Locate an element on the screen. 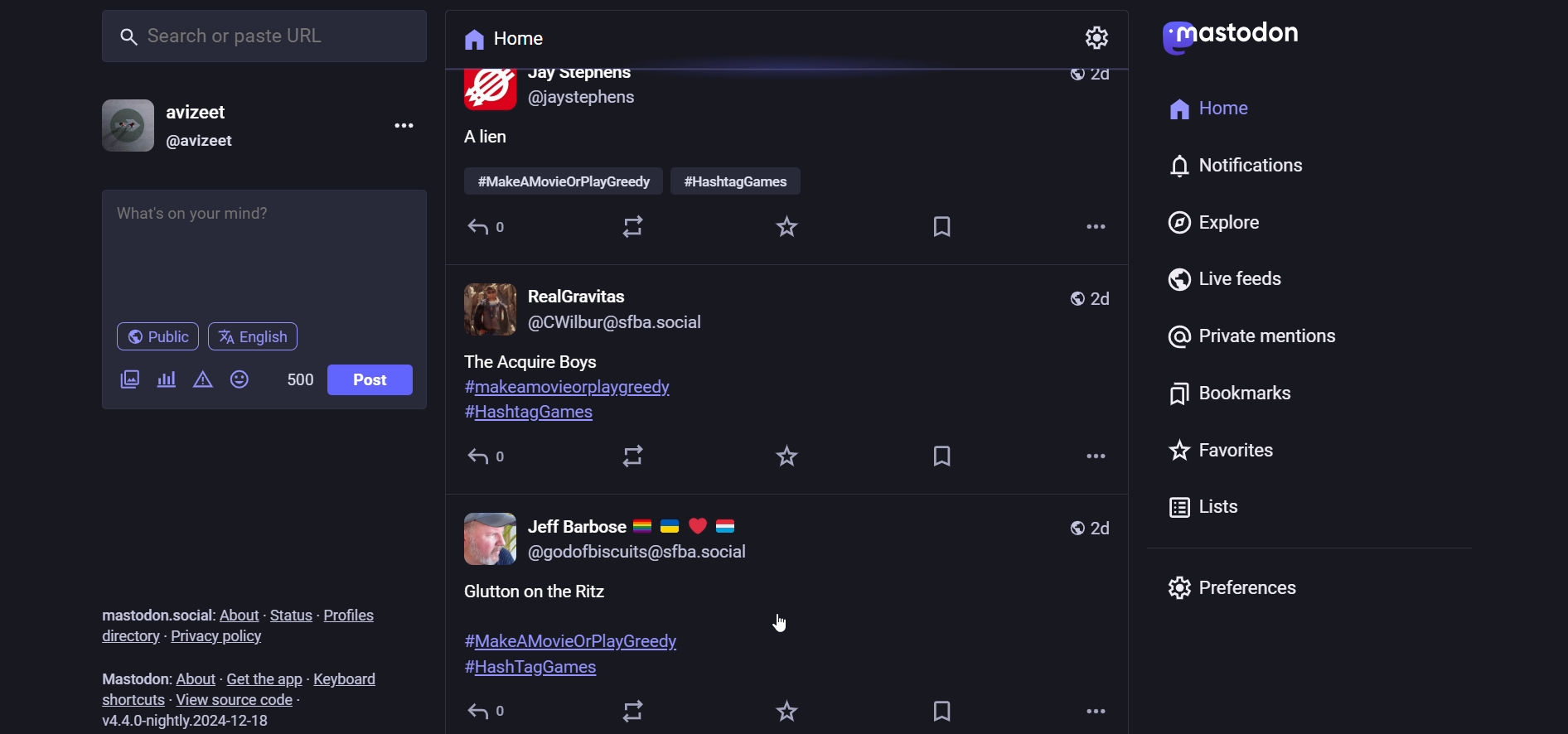 The width and height of the screenshot is (1568, 734). more is located at coordinates (1096, 708).